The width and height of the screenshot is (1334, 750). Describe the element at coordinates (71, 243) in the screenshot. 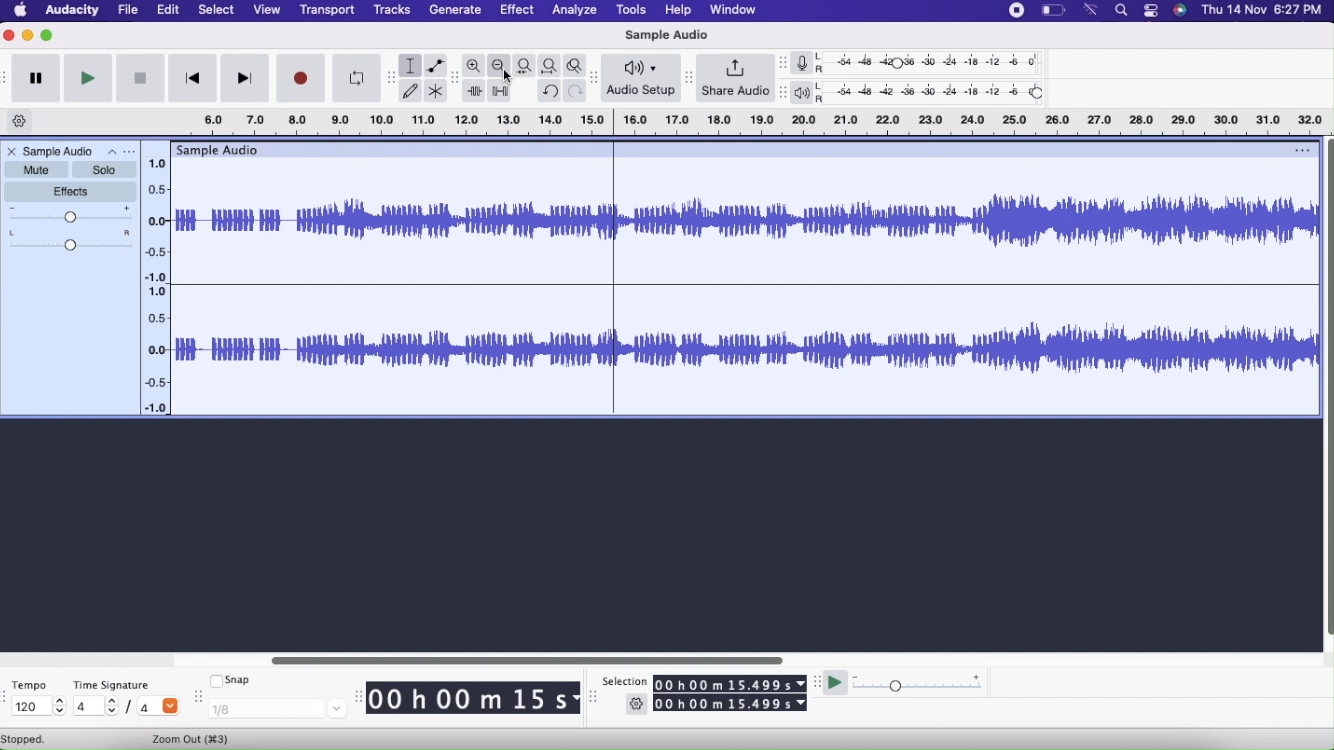

I see `Pan:Center` at that location.